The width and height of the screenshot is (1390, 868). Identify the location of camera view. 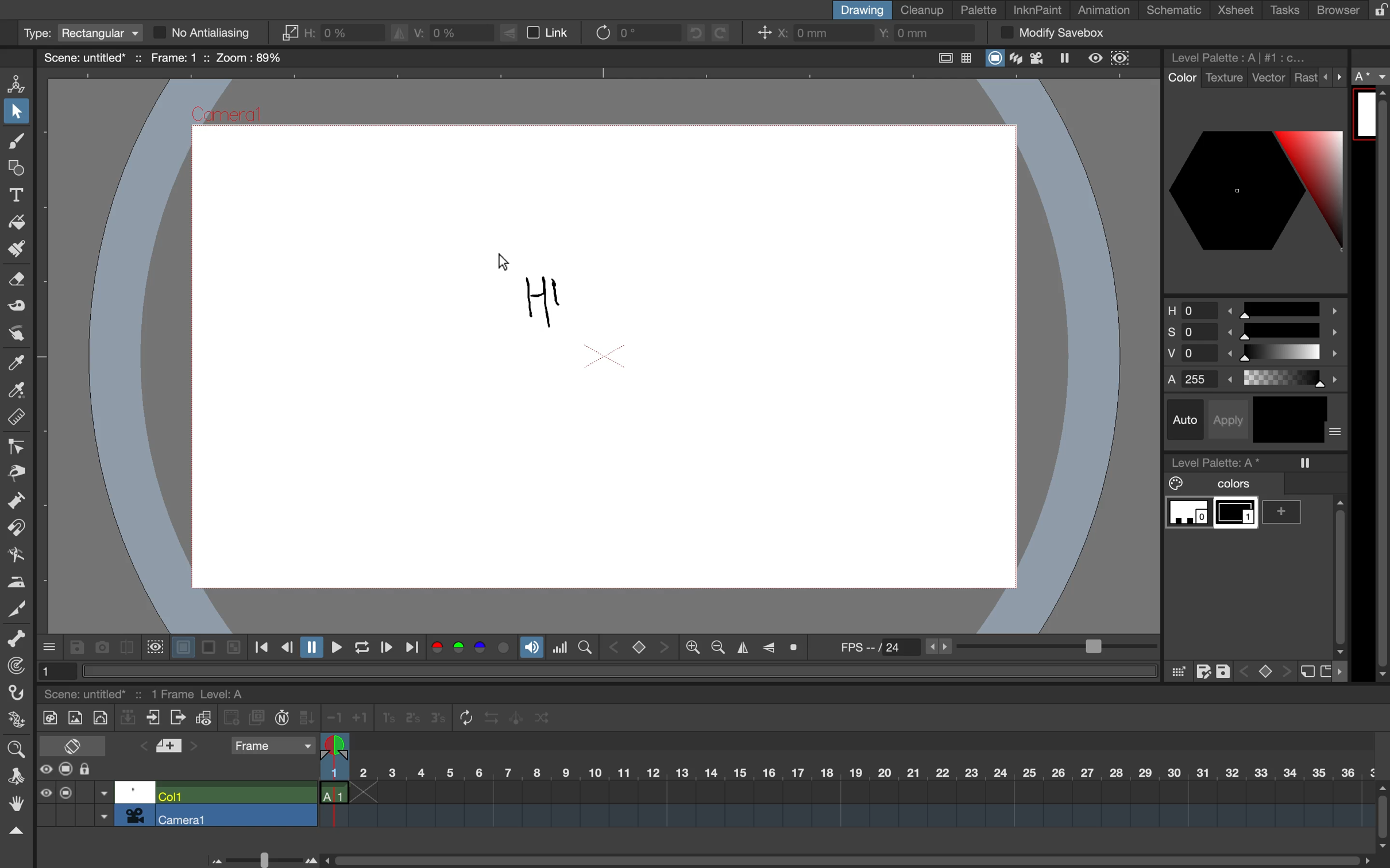
(1039, 58).